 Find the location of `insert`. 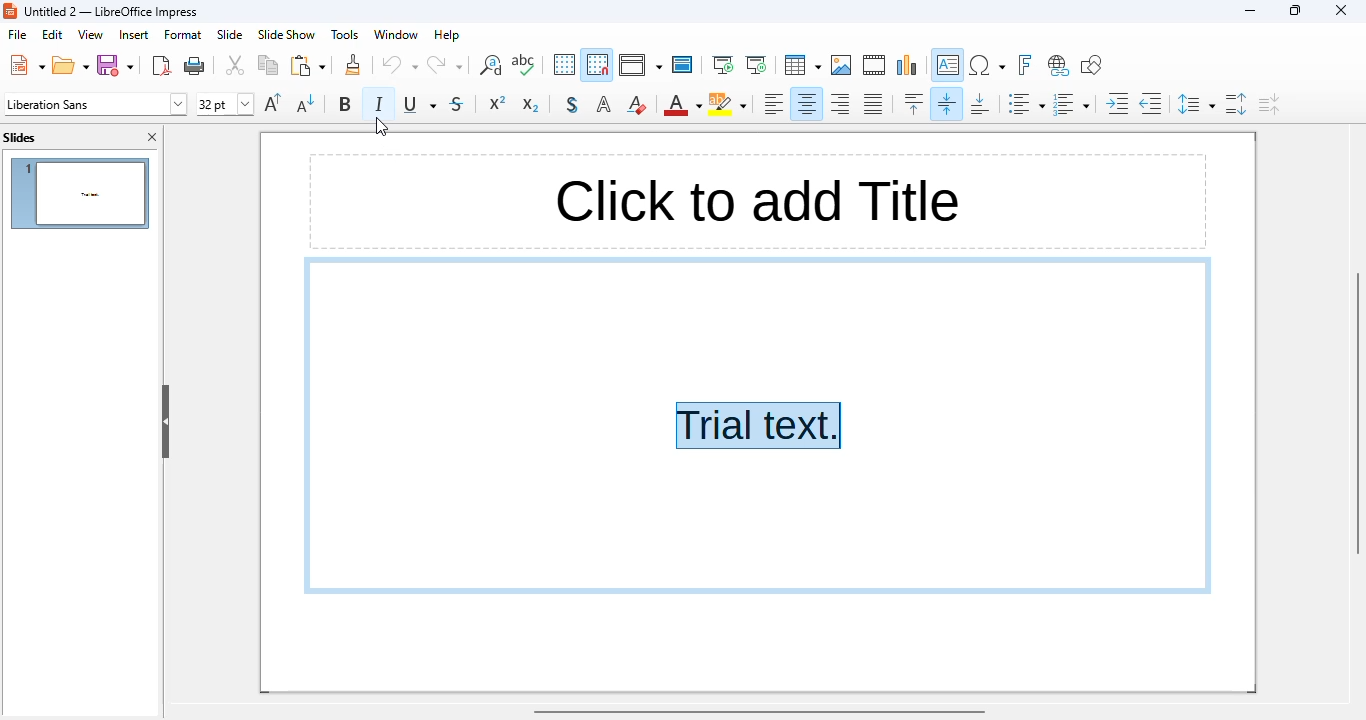

insert is located at coordinates (132, 34).